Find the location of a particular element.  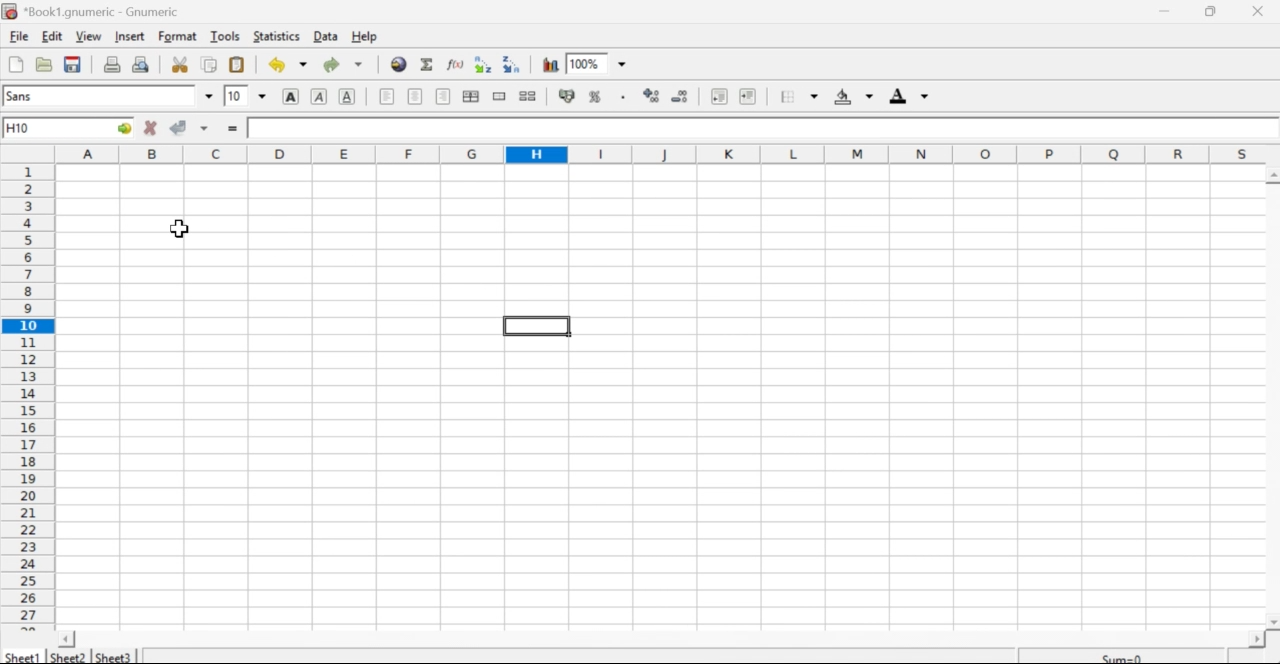

Copy is located at coordinates (208, 65).